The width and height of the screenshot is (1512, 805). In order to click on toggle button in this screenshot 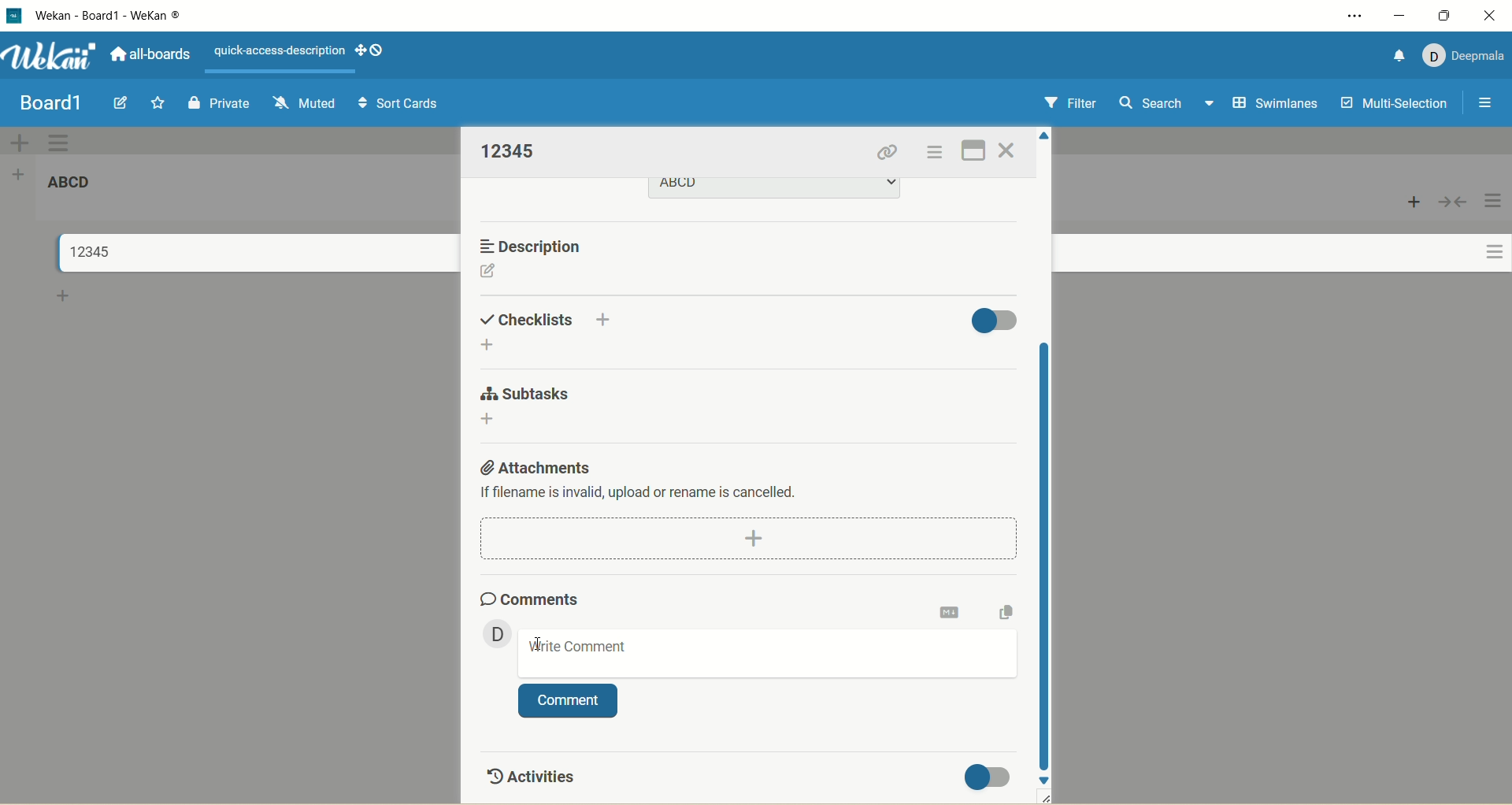, I will do `click(995, 318)`.